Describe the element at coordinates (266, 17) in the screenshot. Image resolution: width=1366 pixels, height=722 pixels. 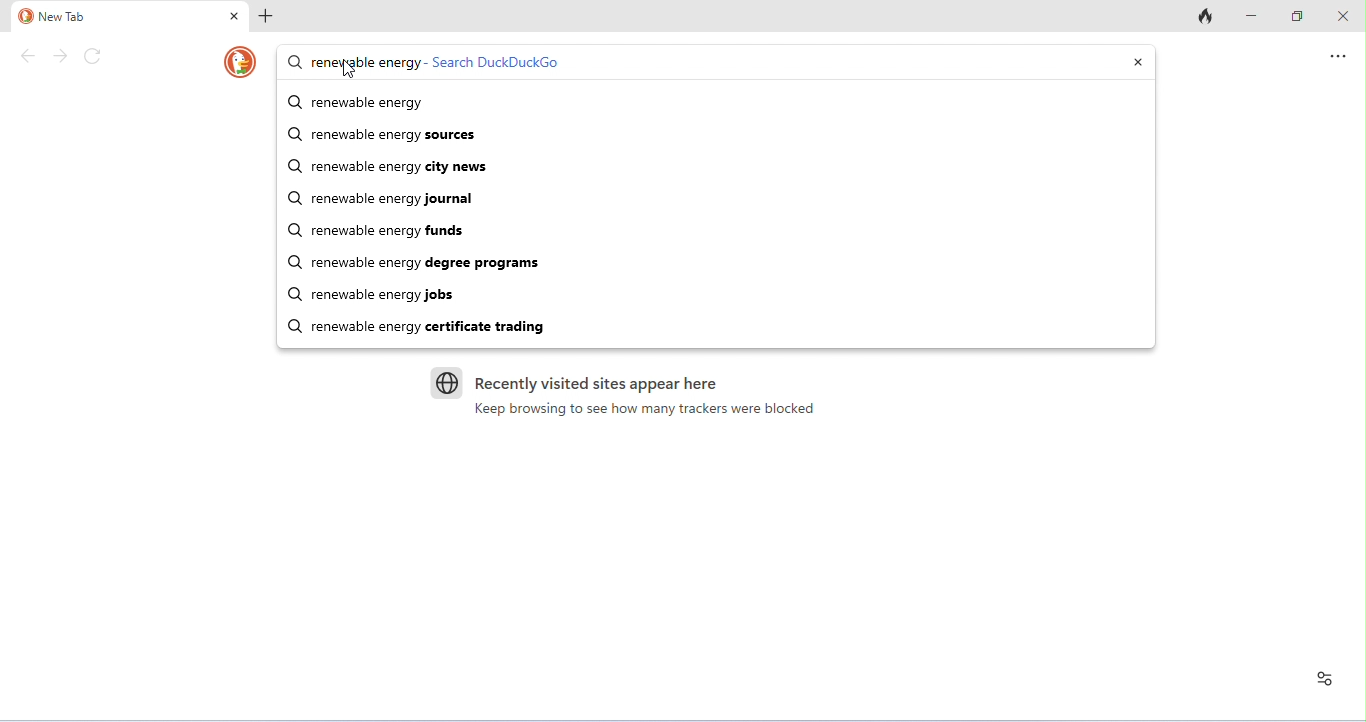
I see `close tab` at that location.